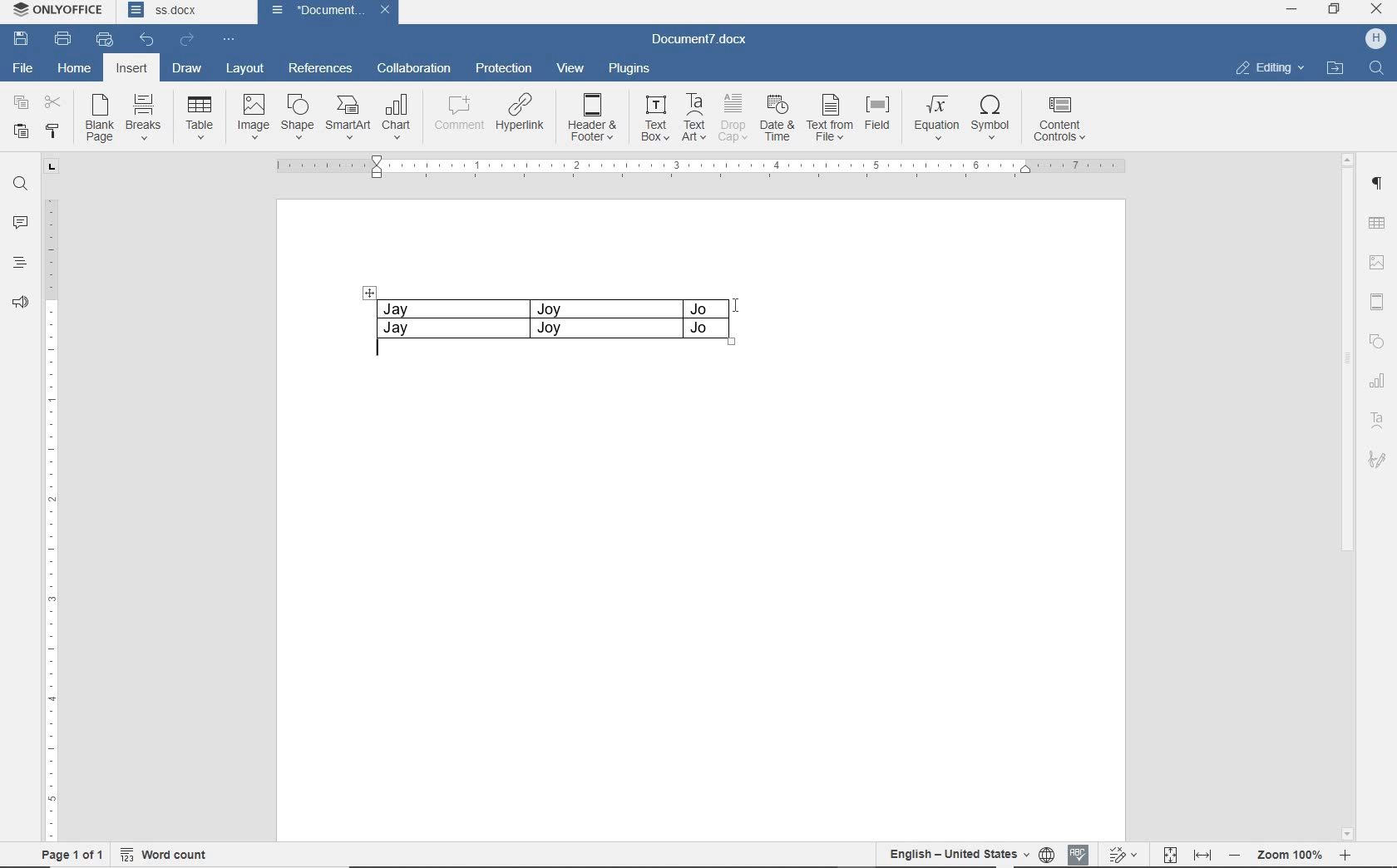 The height and width of the screenshot is (868, 1397). Describe the element at coordinates (1171, 852) in the screenshot. I see `FIT TO PAGE` at that location.